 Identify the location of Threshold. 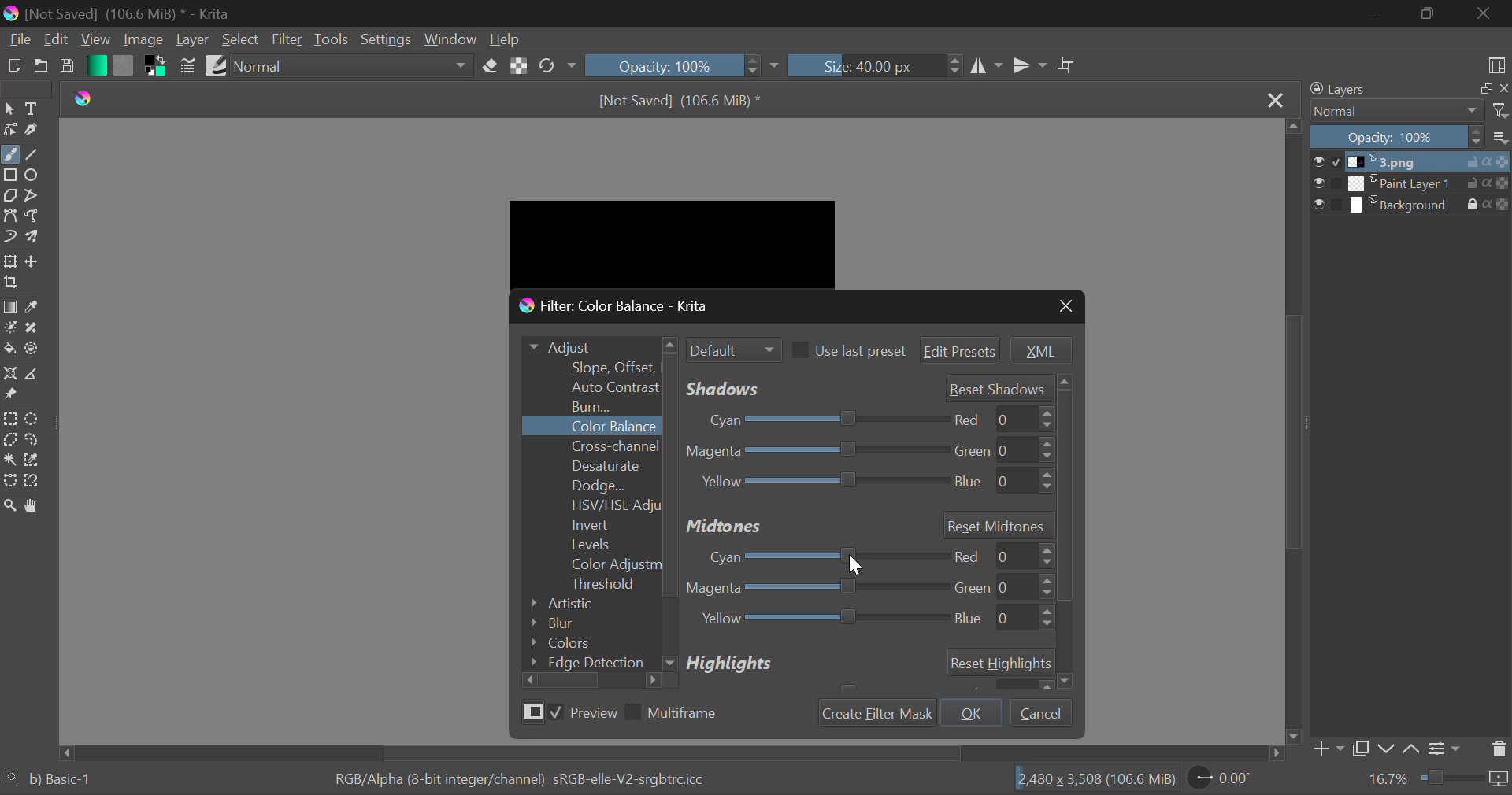
(593, 584).